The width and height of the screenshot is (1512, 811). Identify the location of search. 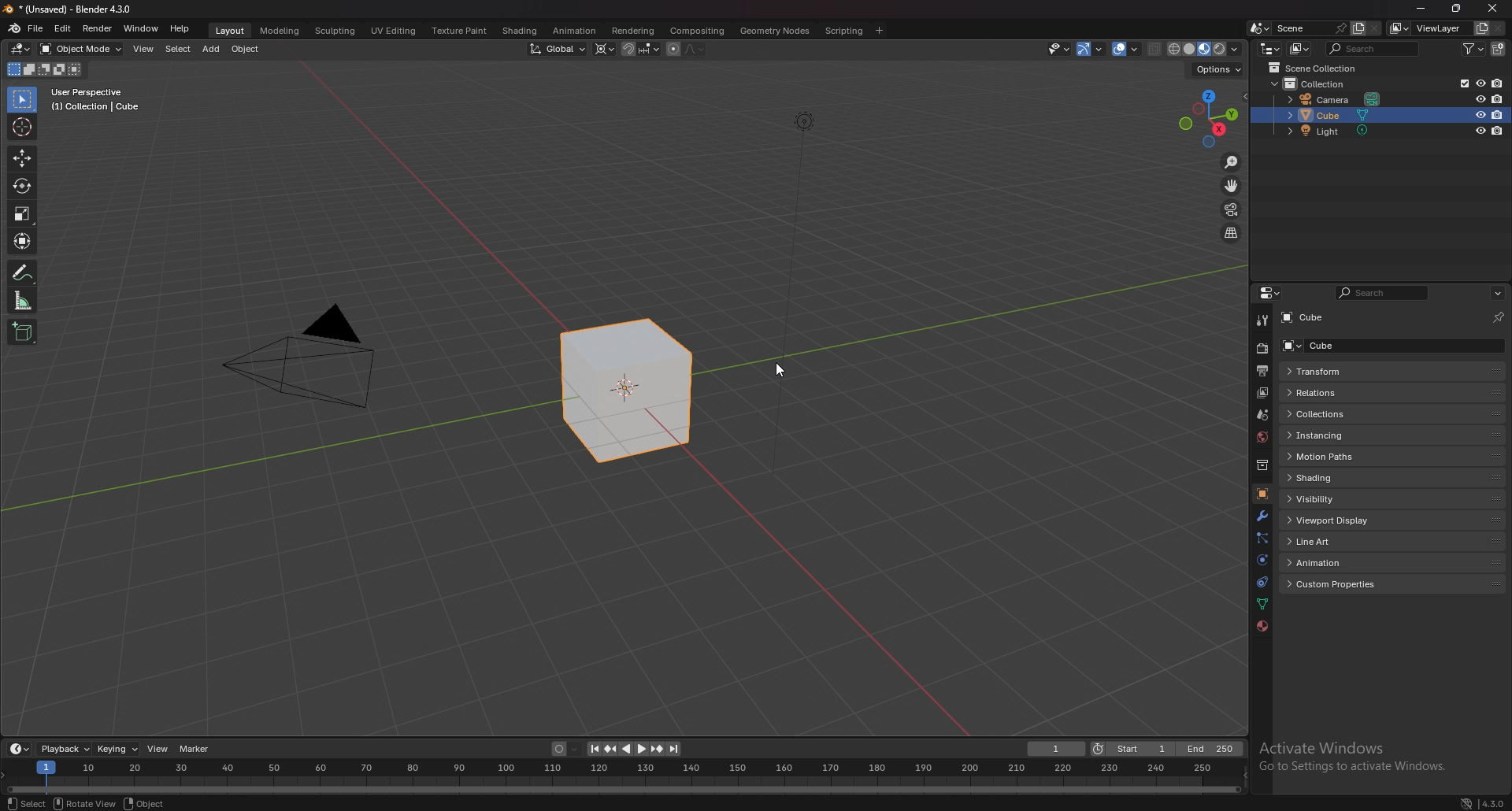
(1369, 49).